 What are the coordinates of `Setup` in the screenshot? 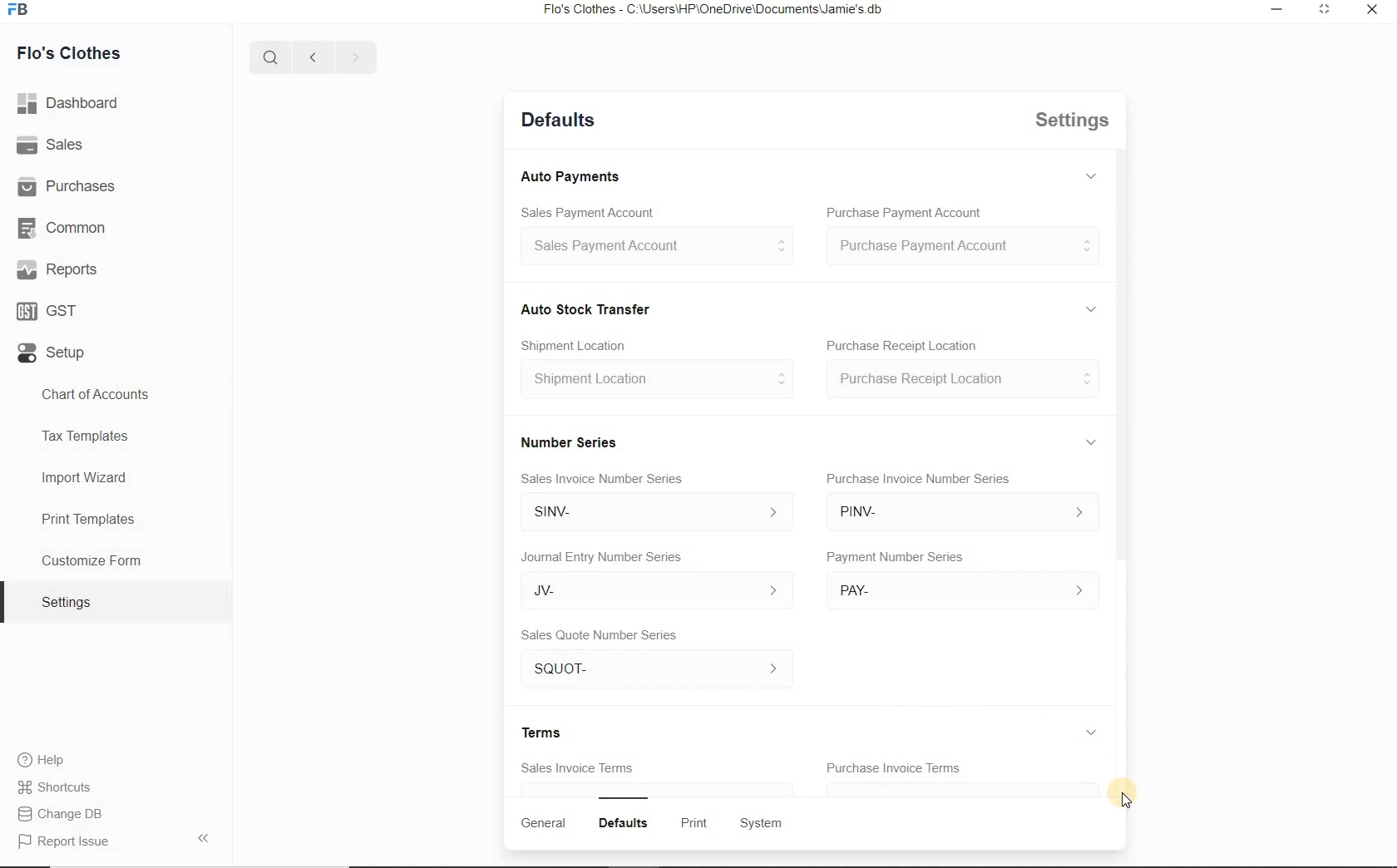 It's located at (52, 353).